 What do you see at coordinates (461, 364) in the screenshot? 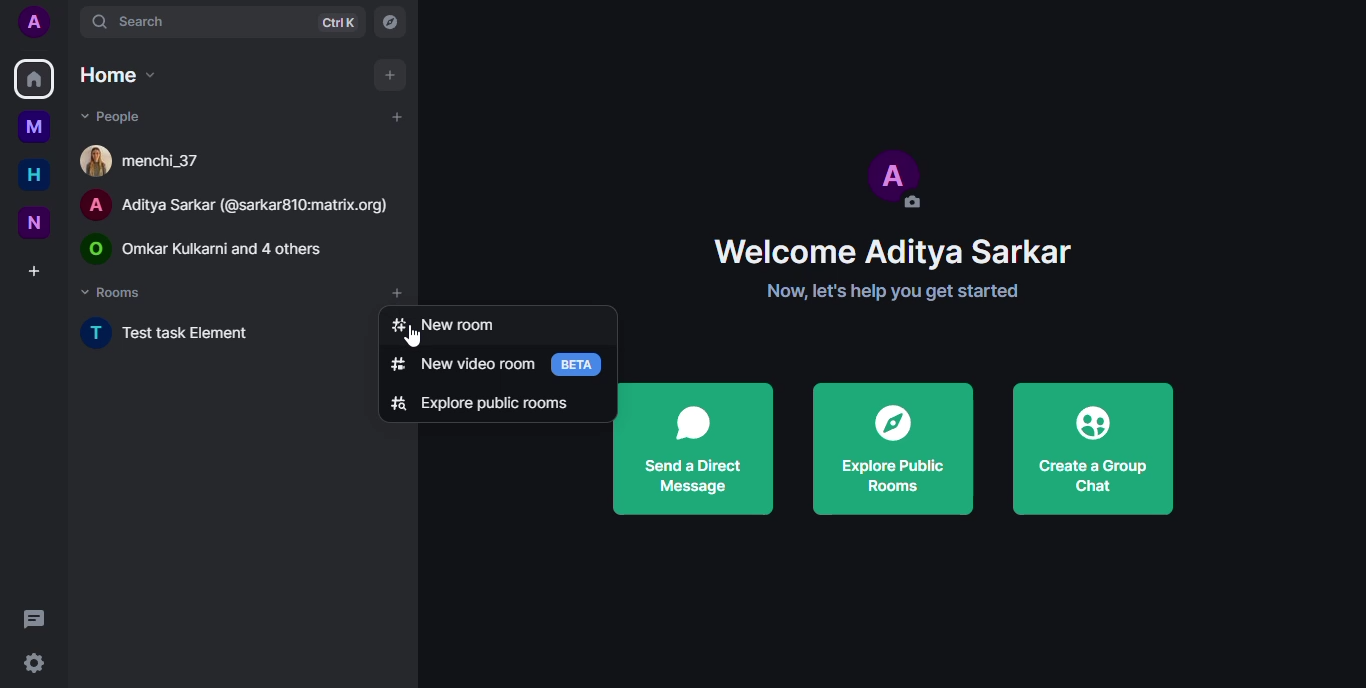
I see `new video room` at bounding box center [461, 364].